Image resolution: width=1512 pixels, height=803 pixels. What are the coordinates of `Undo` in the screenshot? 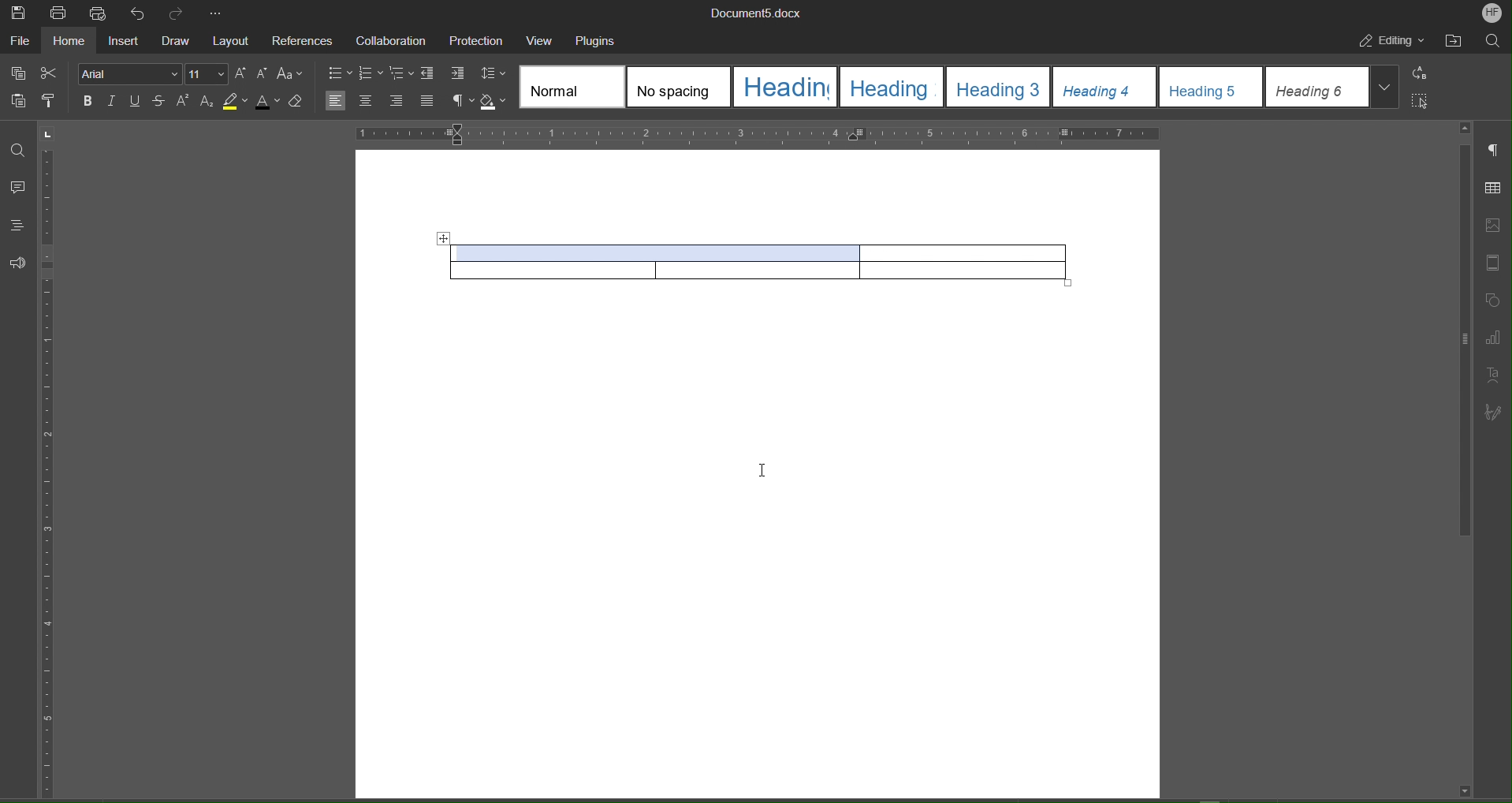 It's located at (142, 14).